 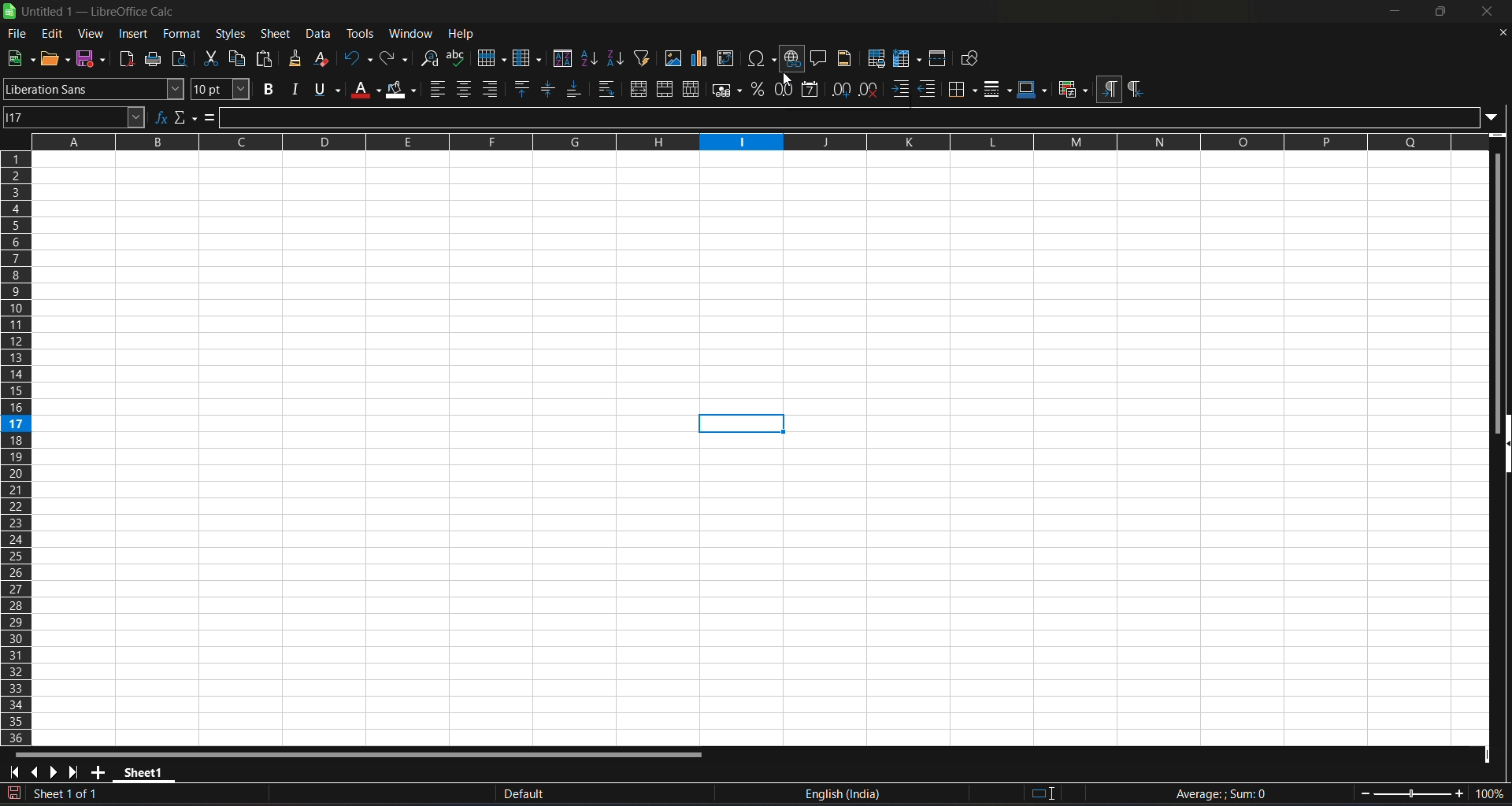 I want to click on center vertically, so click(x=550, y=88).